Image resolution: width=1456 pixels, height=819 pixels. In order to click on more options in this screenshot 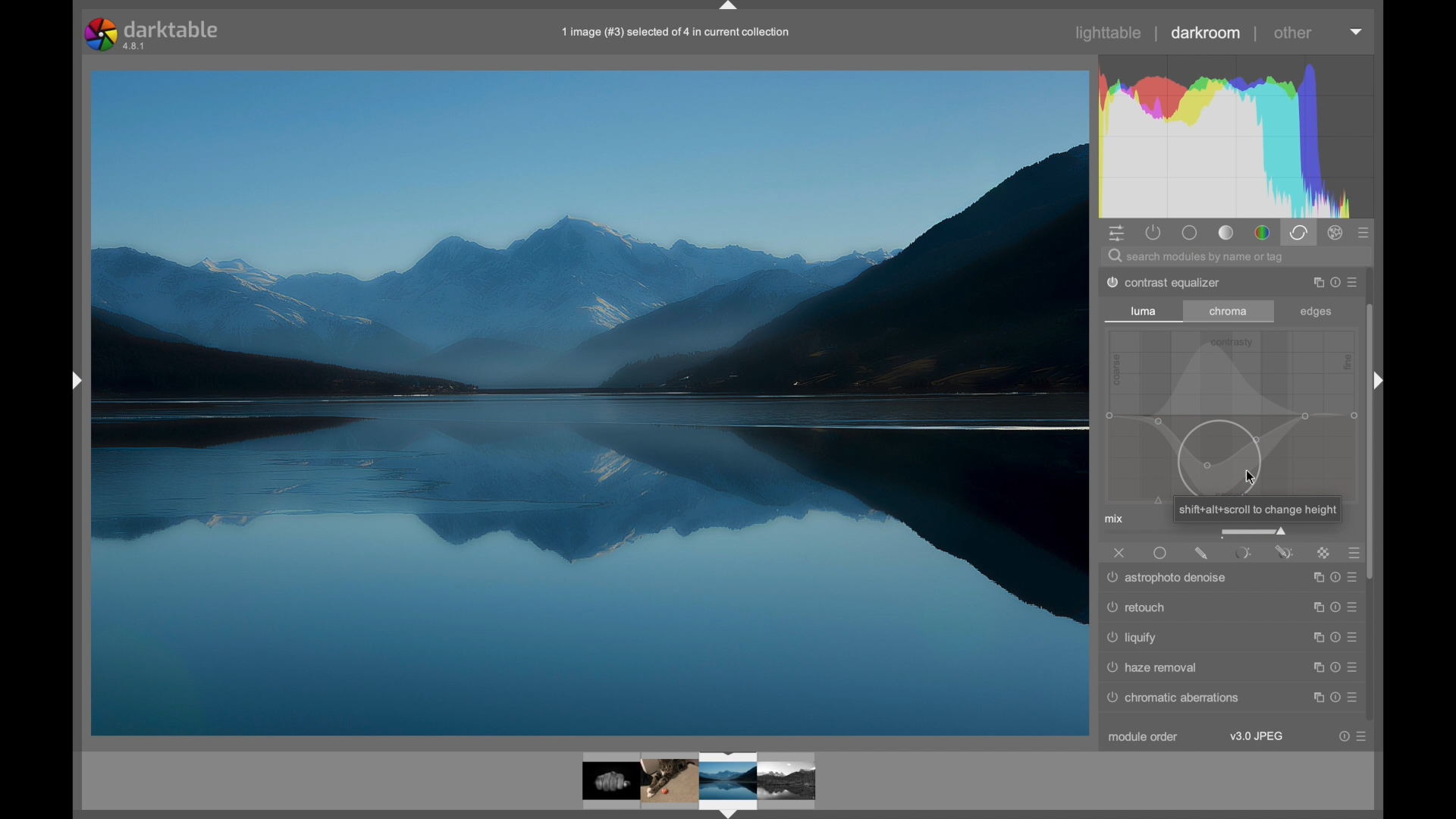, I will do `click(1332, 608)`.